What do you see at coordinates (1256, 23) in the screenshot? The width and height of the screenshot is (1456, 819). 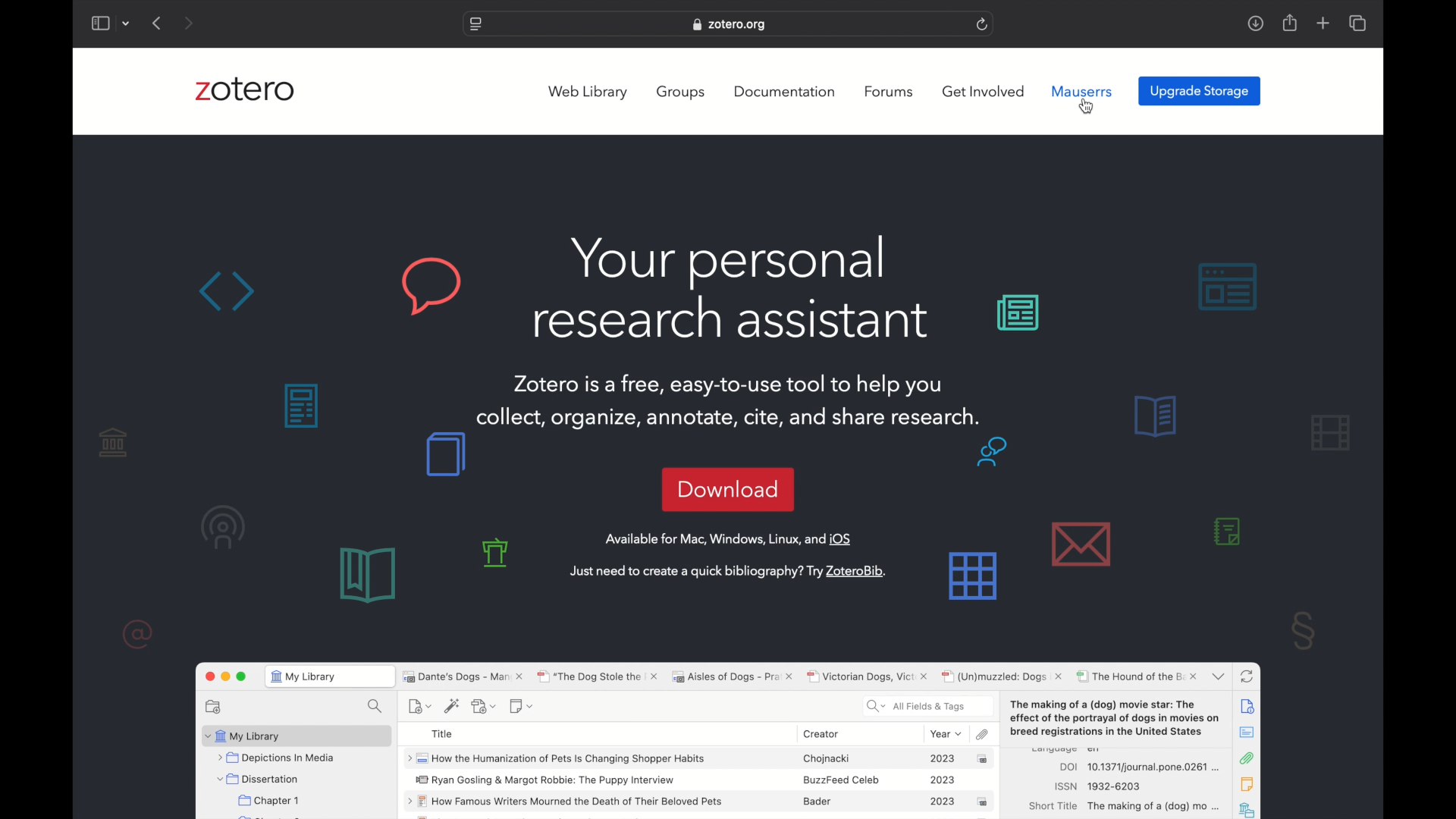 I see `downloads` at bounding box center [1256, 23].